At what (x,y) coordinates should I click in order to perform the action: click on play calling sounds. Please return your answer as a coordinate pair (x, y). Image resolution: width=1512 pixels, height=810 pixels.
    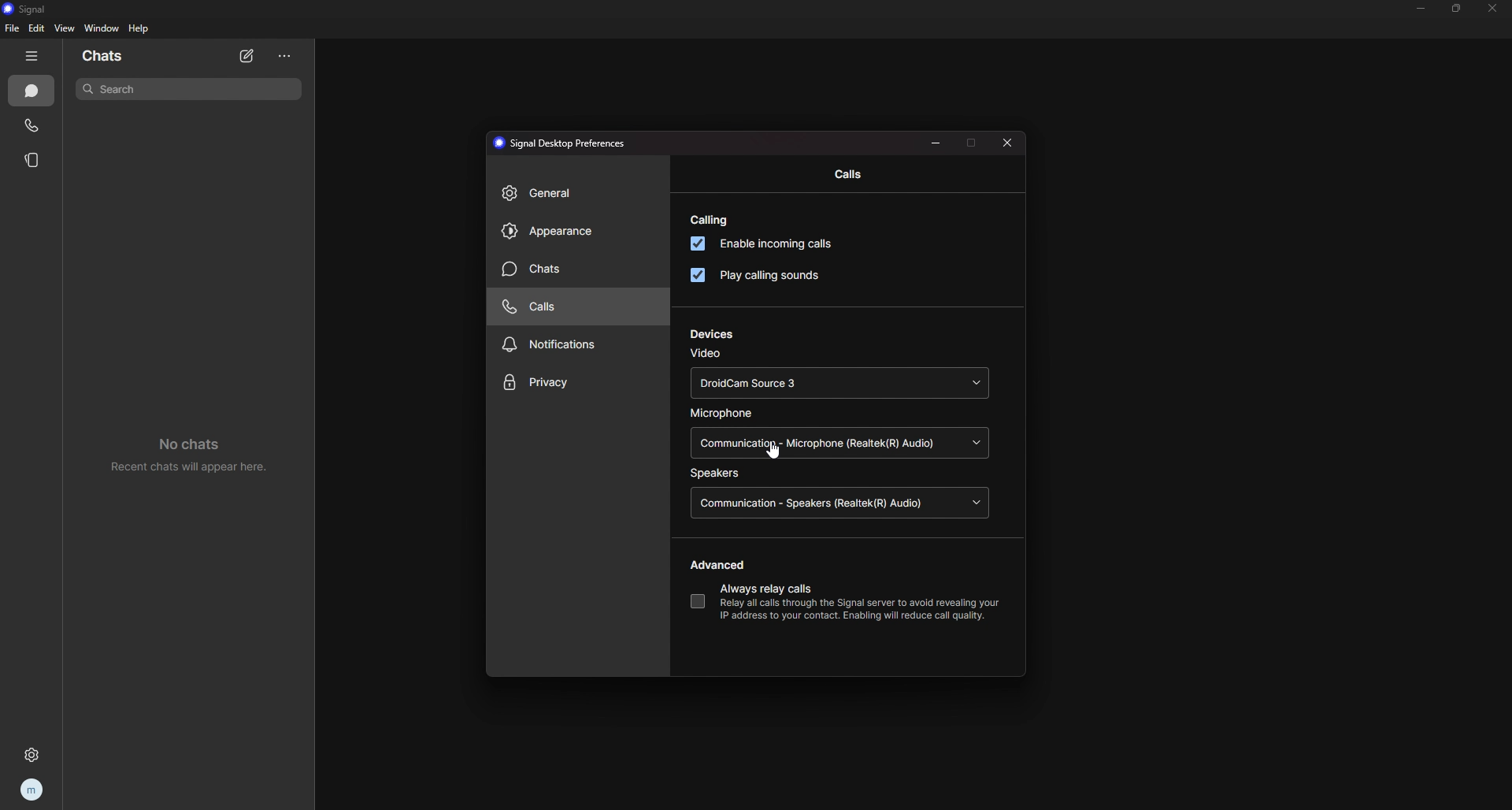
    Looking at the image, I should click on (759, 276).